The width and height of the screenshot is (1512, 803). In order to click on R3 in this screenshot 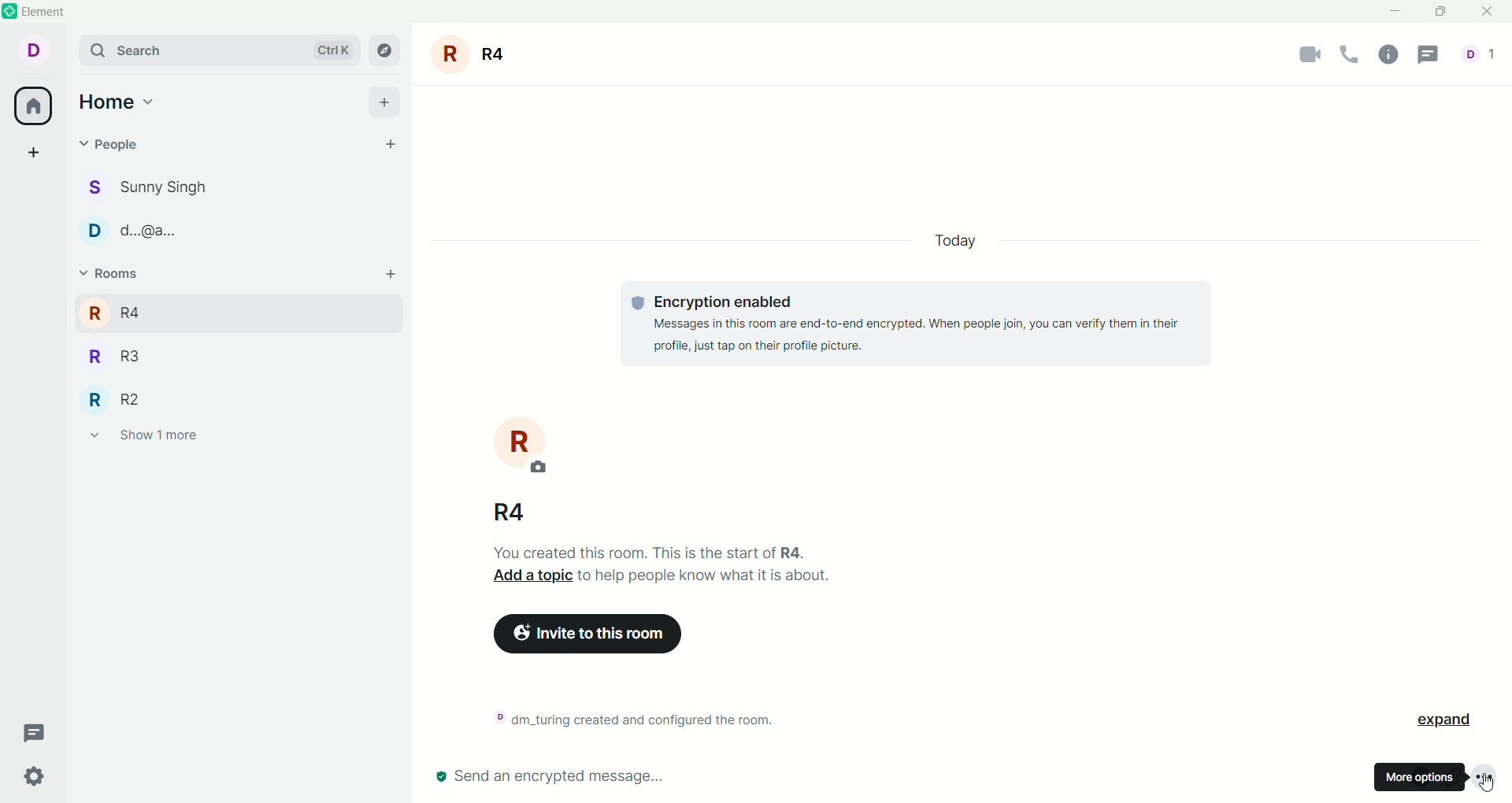, I will do `click(137, 358)`.